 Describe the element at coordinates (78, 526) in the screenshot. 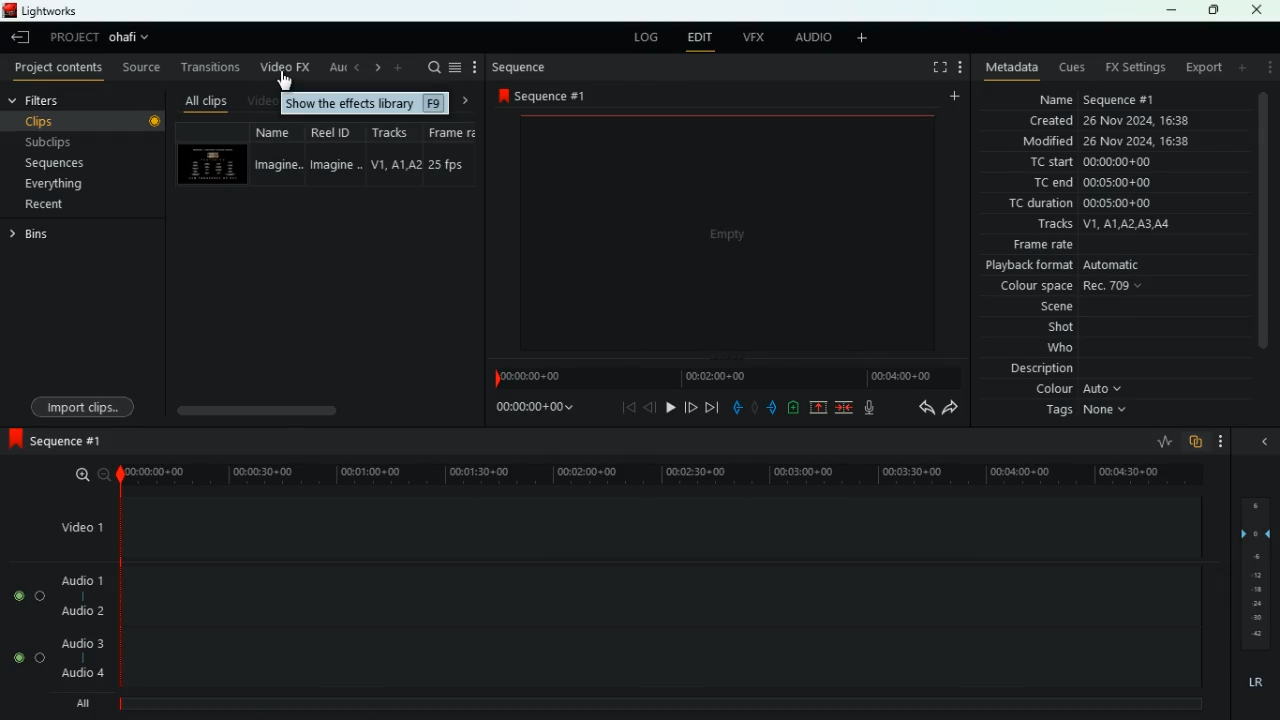

I see `video 1` at that location.